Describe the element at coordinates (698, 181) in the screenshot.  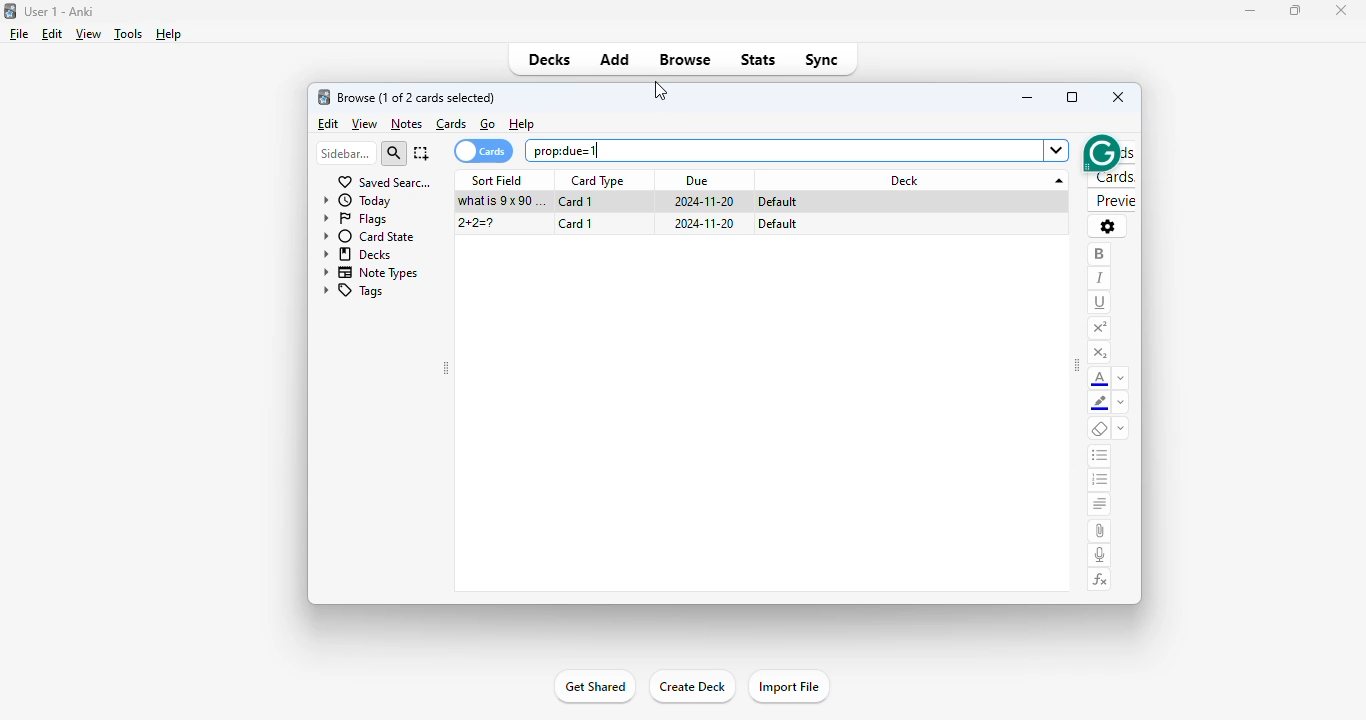
I see `due` at that location.